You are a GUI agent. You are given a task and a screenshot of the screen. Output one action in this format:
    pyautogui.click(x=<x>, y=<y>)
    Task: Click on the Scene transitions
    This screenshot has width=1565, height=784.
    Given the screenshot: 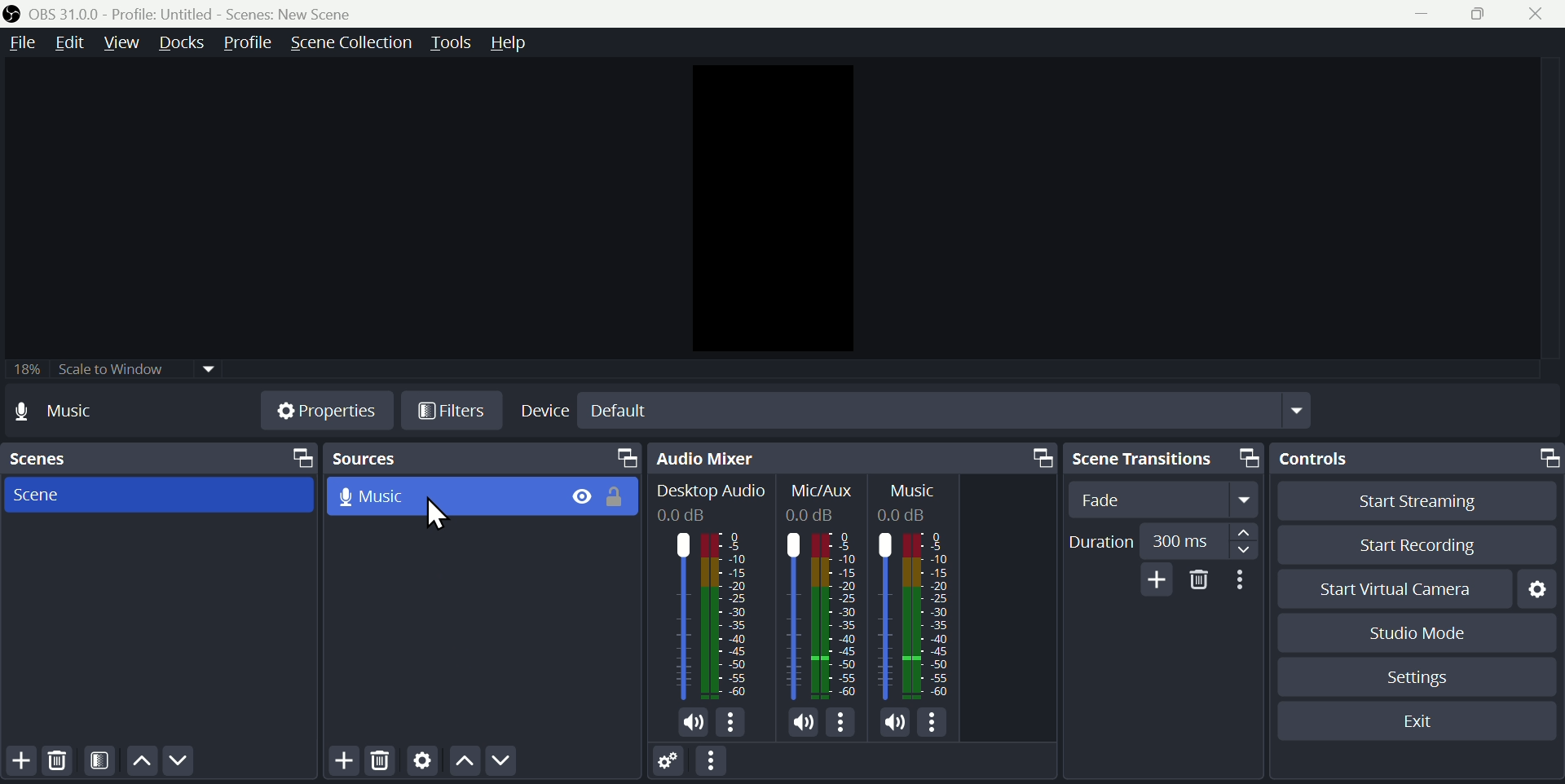 What is the action you would take?
    pyautogui.click(x=1167, y=459)
    